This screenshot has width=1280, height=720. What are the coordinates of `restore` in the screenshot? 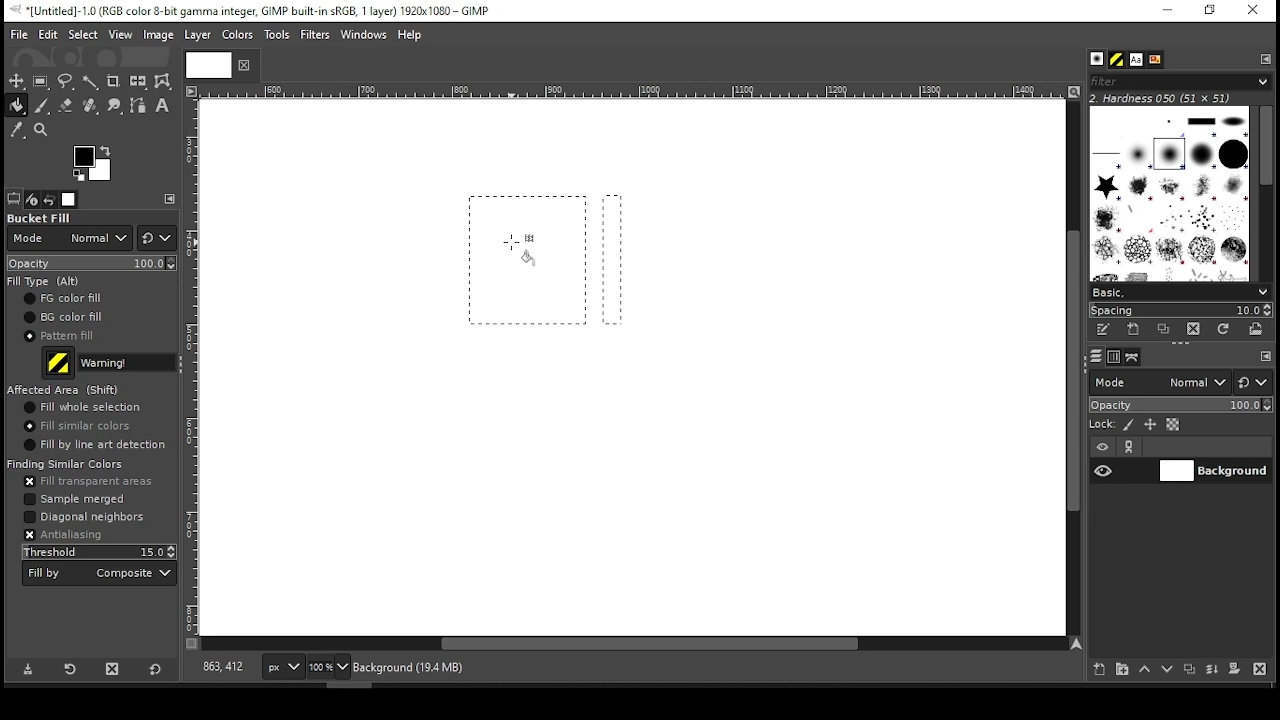 It's located at (1212, 11).